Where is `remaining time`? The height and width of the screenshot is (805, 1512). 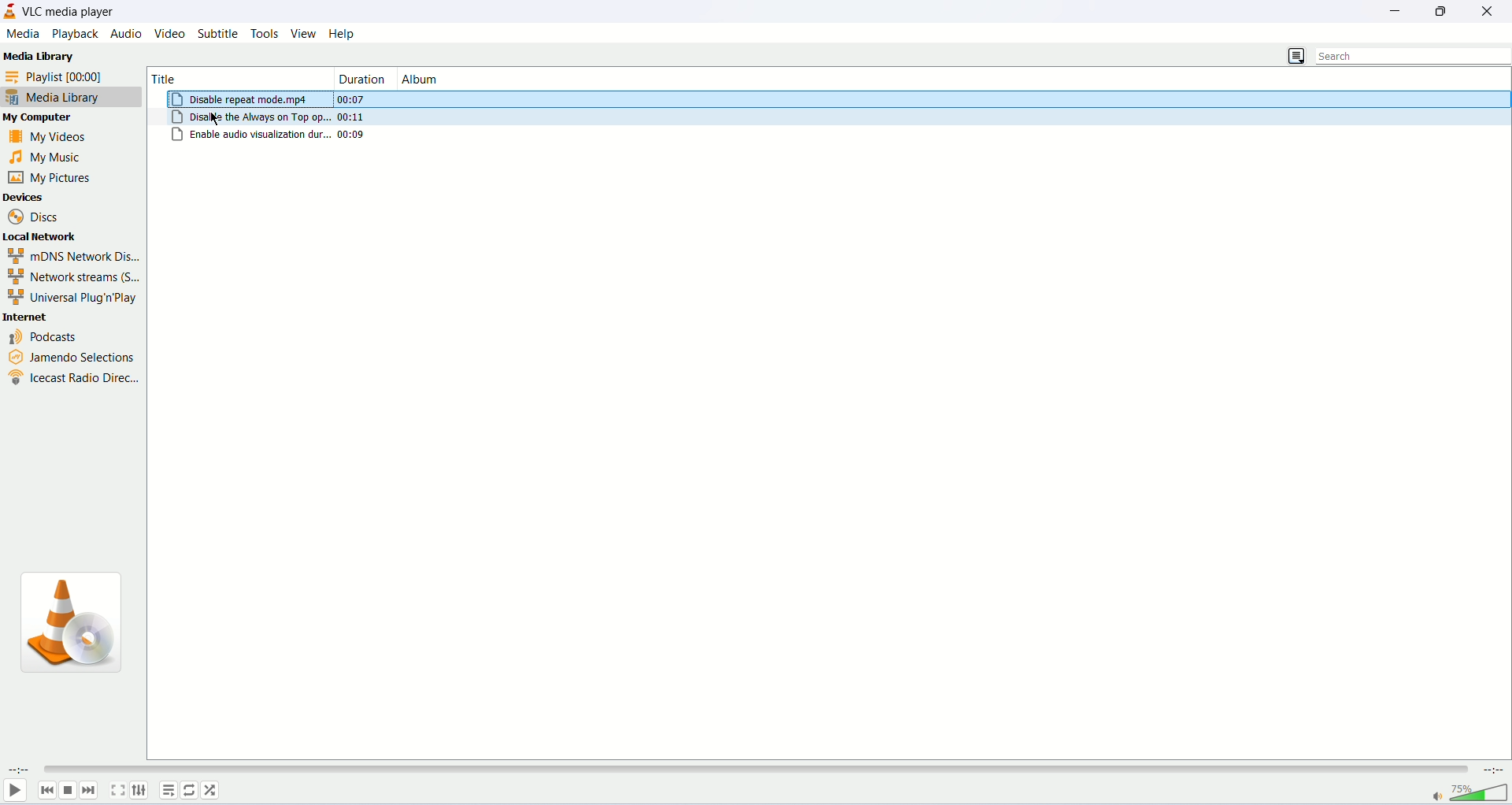
remaining time is located at coordinates (1492, 770).